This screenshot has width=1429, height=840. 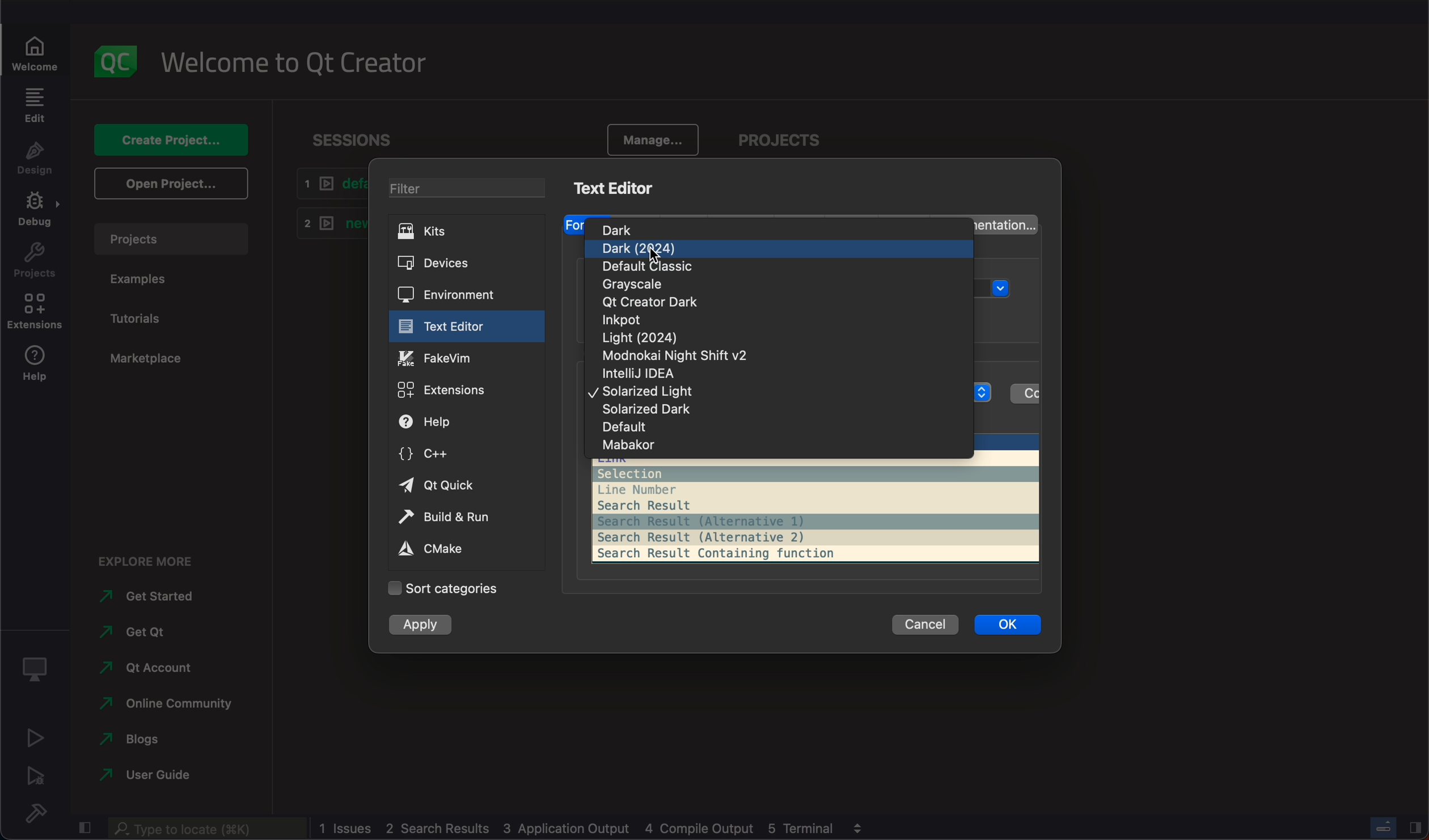 What do you see at coordinates (648, 410) in the screenshot?
I see `dark` at bounding box center [648, 410].